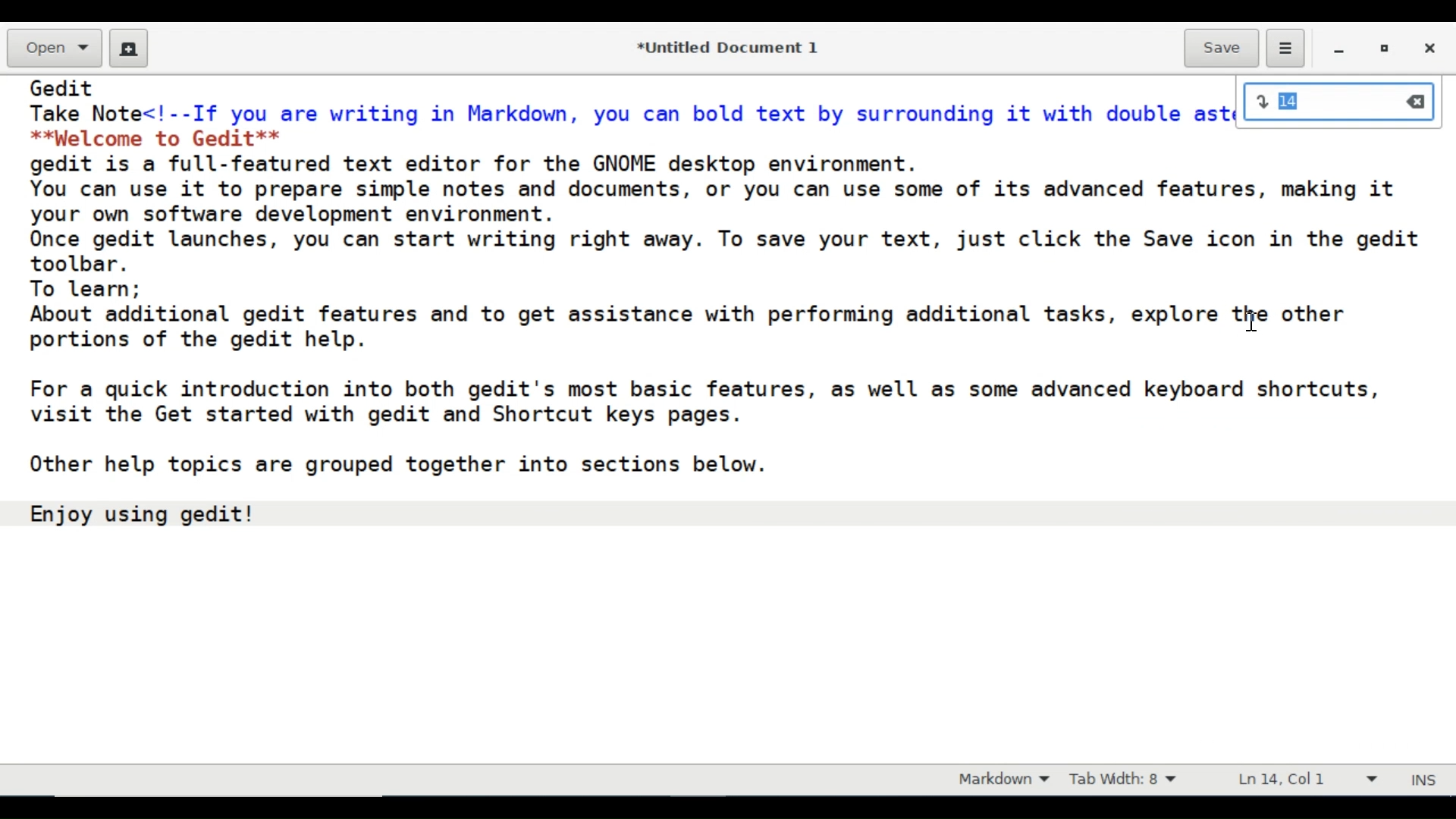  I want to click on Open, so click(53, 49).